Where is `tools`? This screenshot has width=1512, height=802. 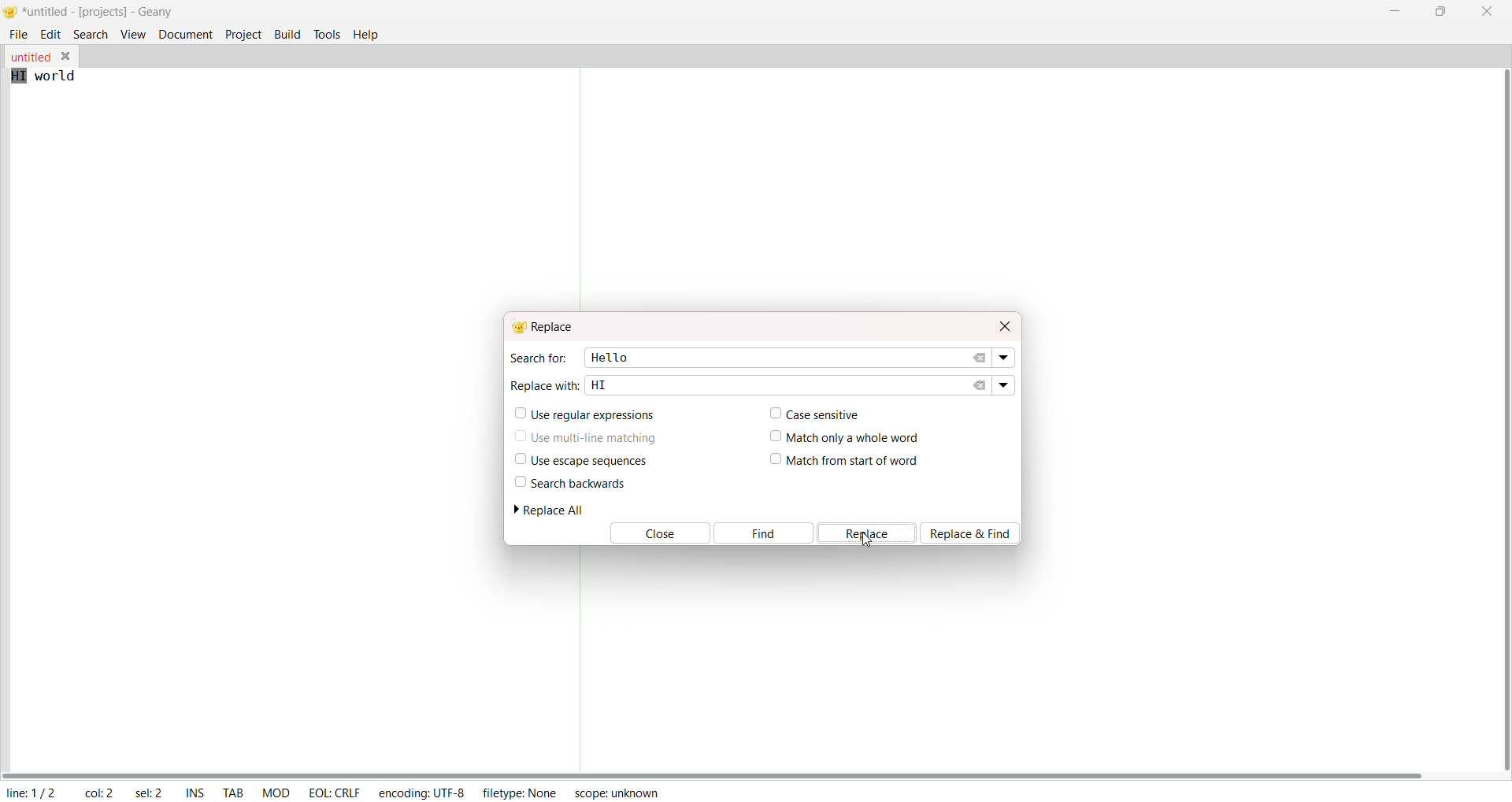
tools is located at coordinates (328, 33).